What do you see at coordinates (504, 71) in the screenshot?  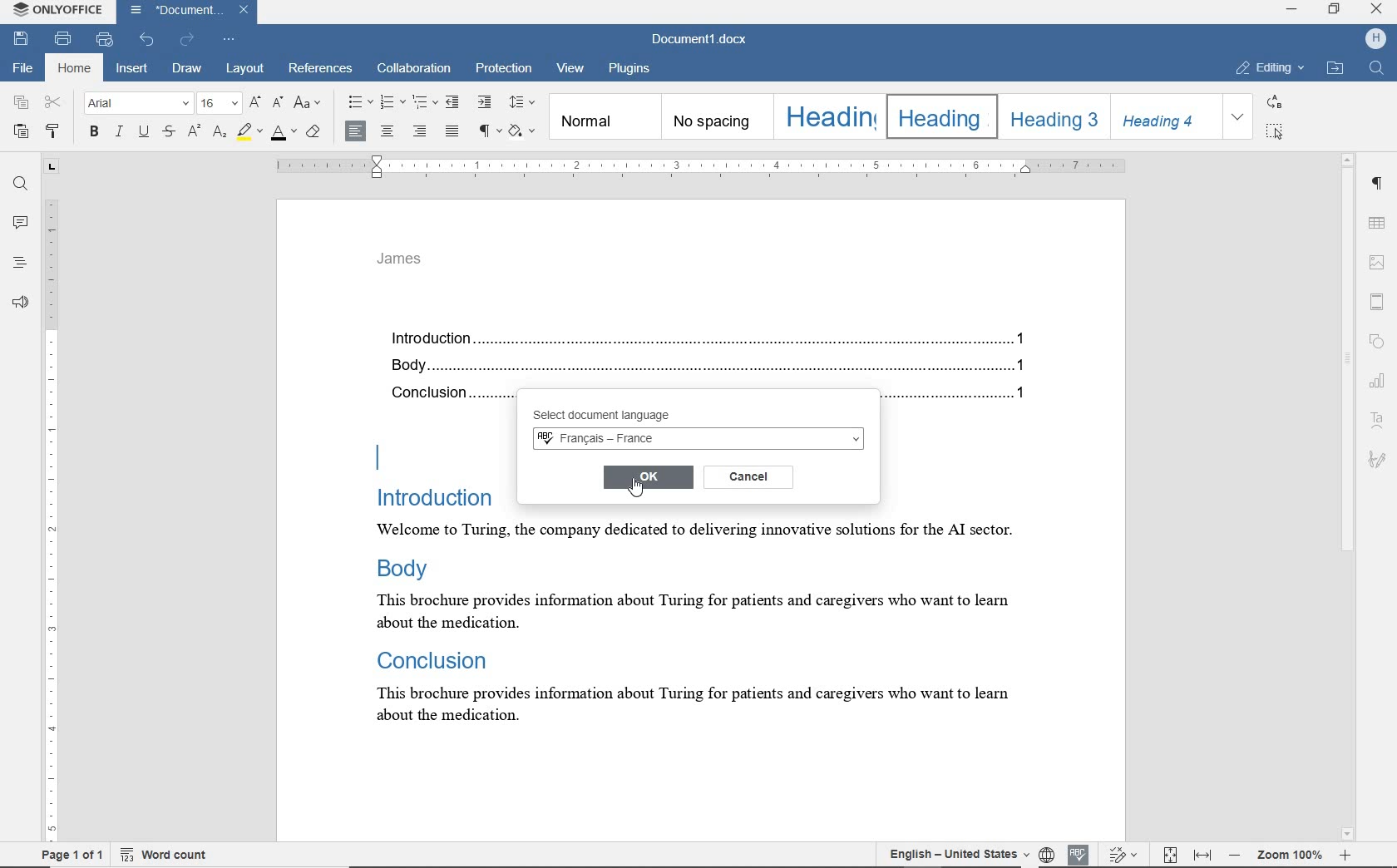 I see `protection` at bounding box center [504, 71].